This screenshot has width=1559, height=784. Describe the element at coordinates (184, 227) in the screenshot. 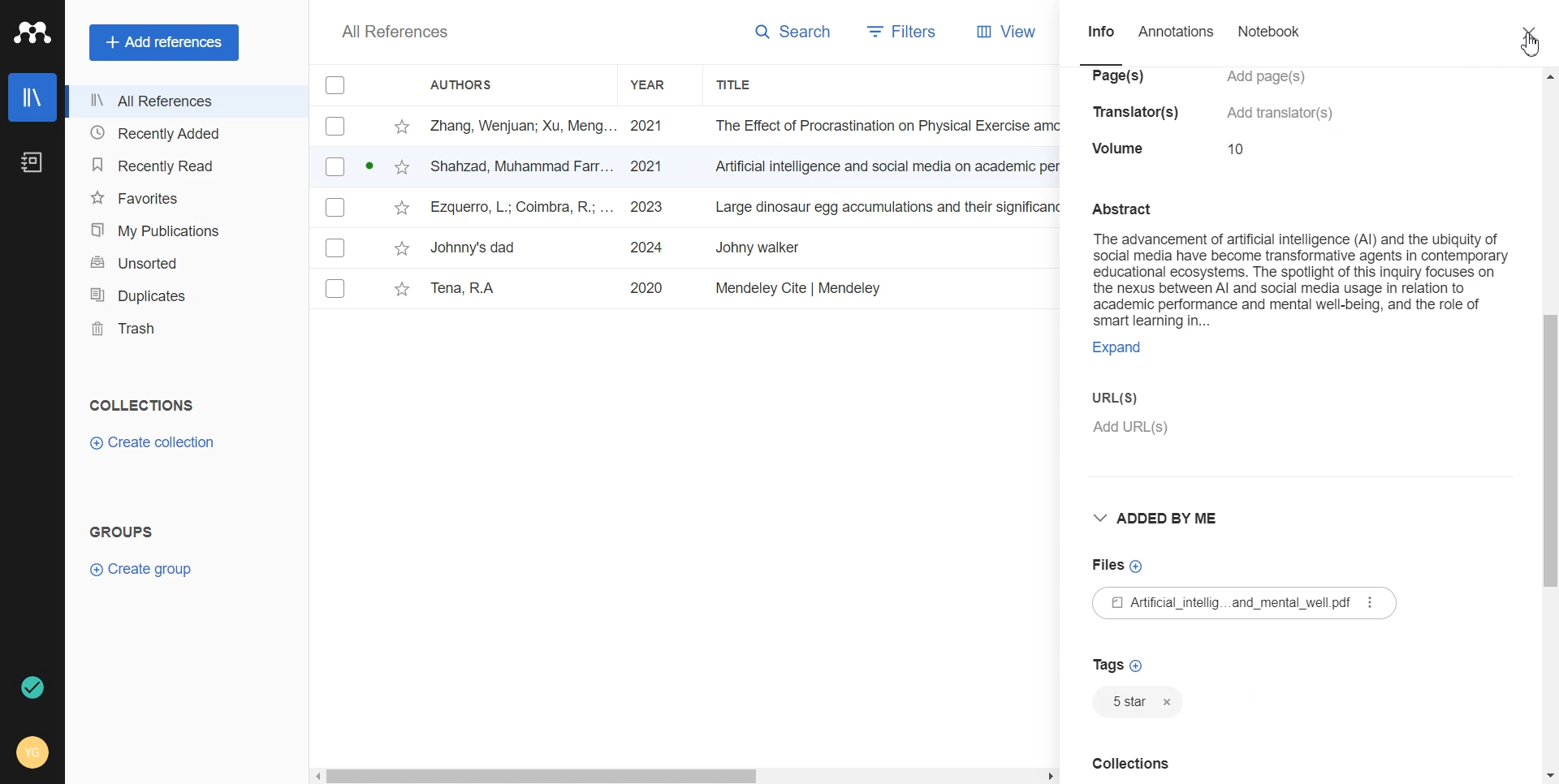

I see `My Publication` at that location.